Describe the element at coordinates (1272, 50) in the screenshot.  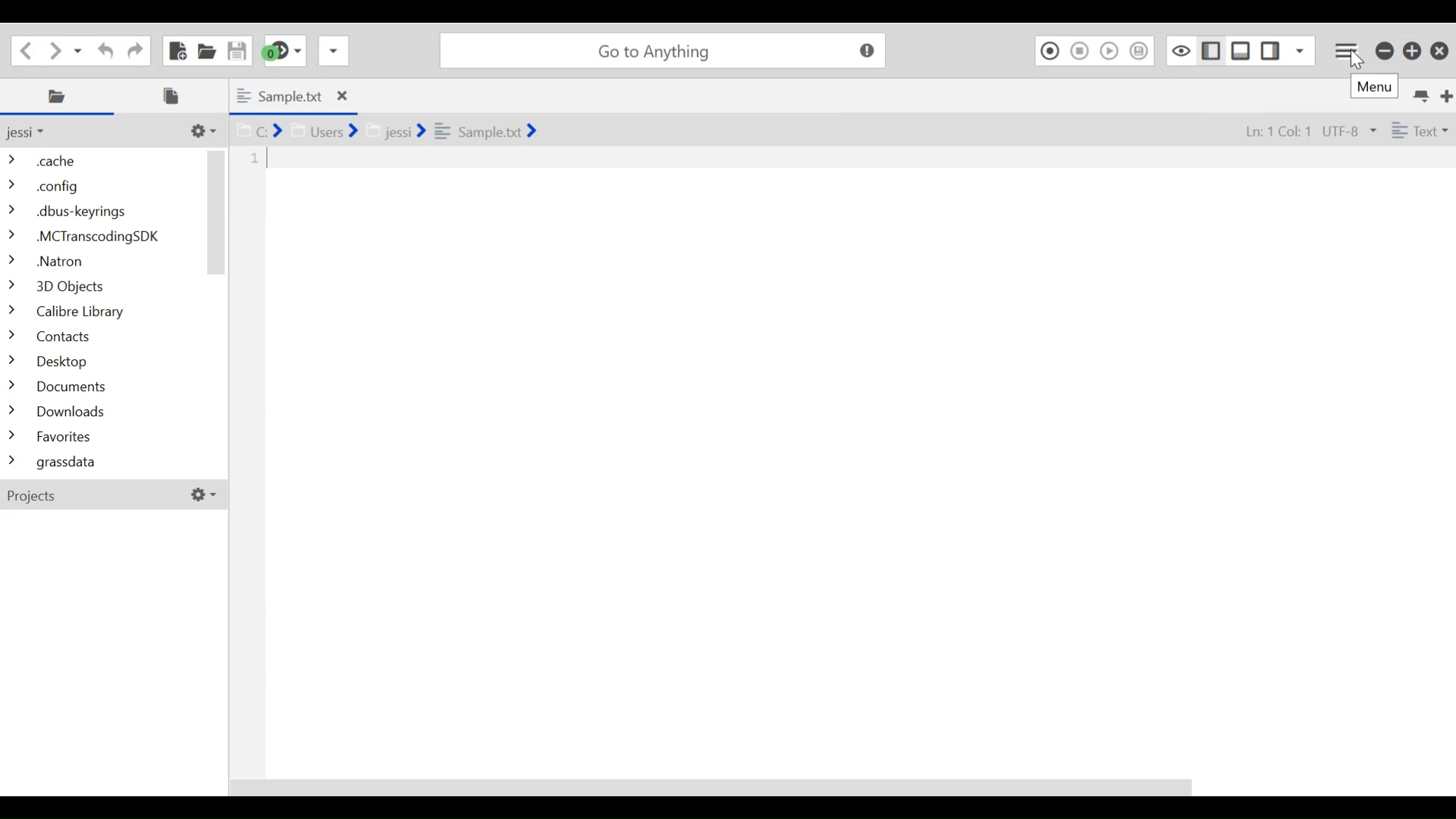
I see `Show/ Hide left Pane` at that location.